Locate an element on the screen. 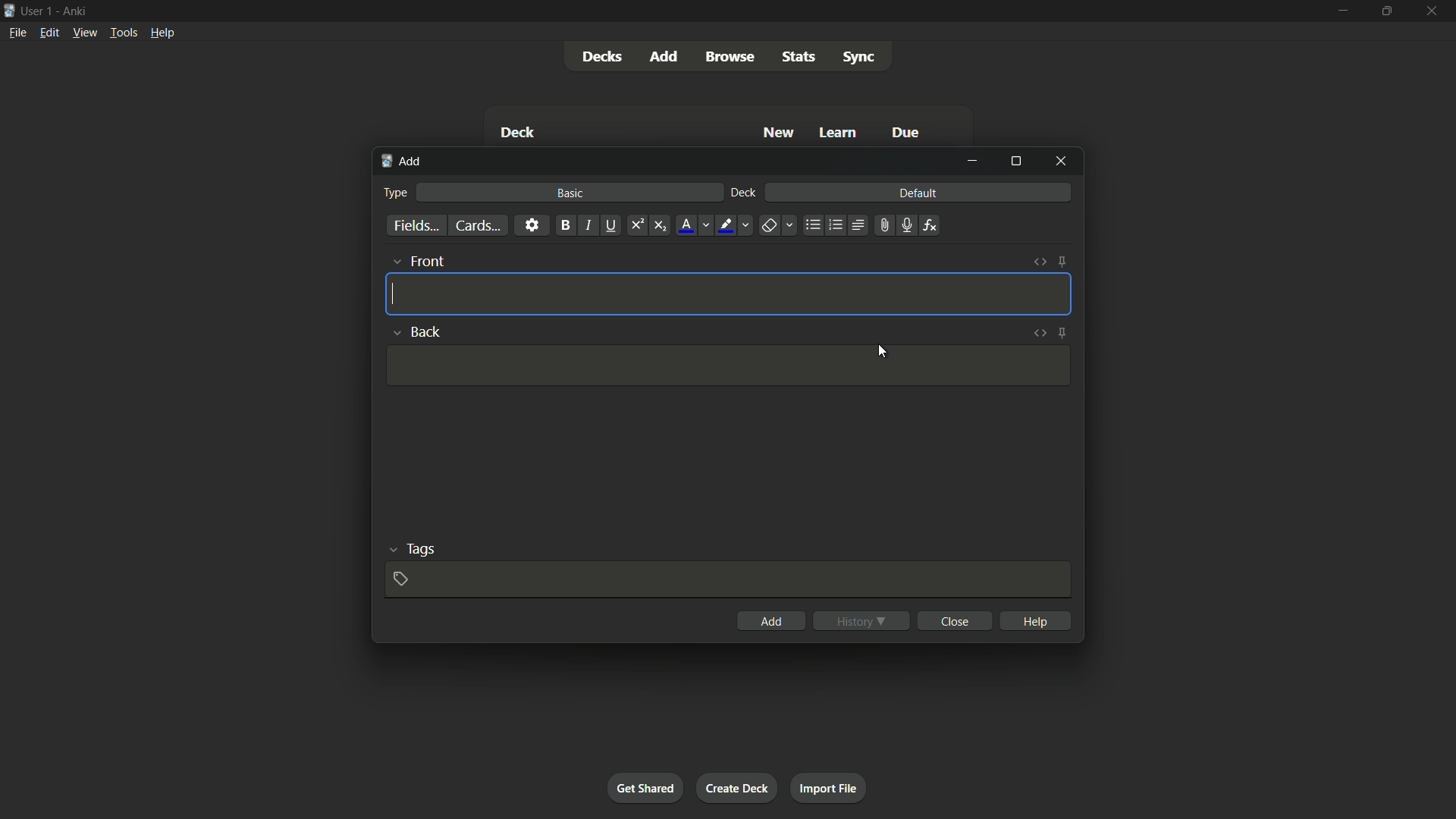  help is located at coordinates (1036, 620).